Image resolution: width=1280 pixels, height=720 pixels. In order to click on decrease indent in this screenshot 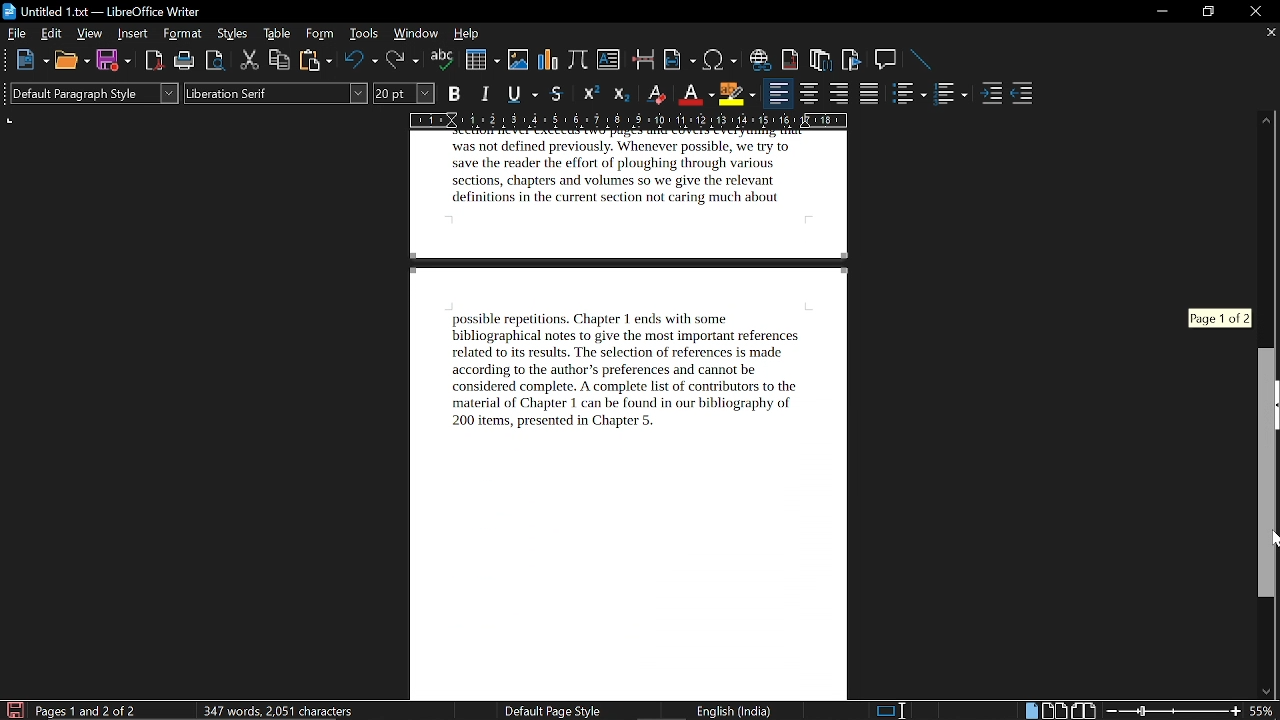, I will do `click(1023, 97)`.